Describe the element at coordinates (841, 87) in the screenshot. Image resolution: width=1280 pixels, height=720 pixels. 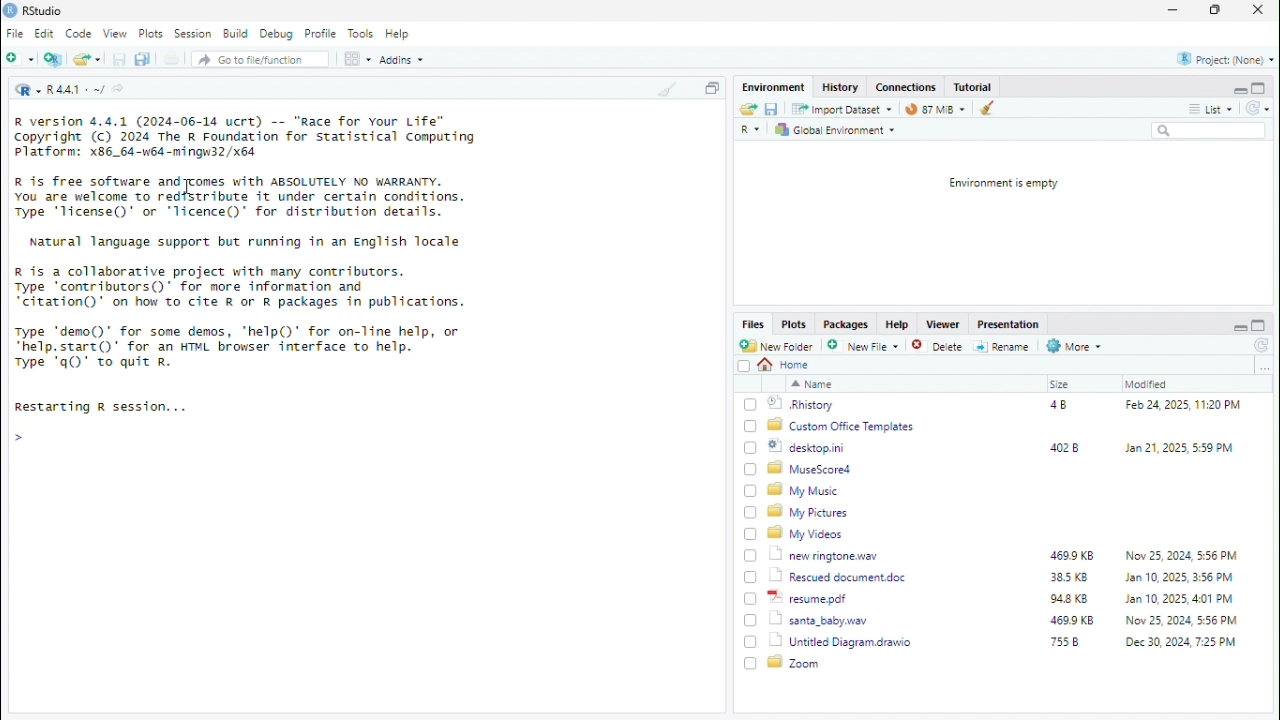
I see `History` at that location.